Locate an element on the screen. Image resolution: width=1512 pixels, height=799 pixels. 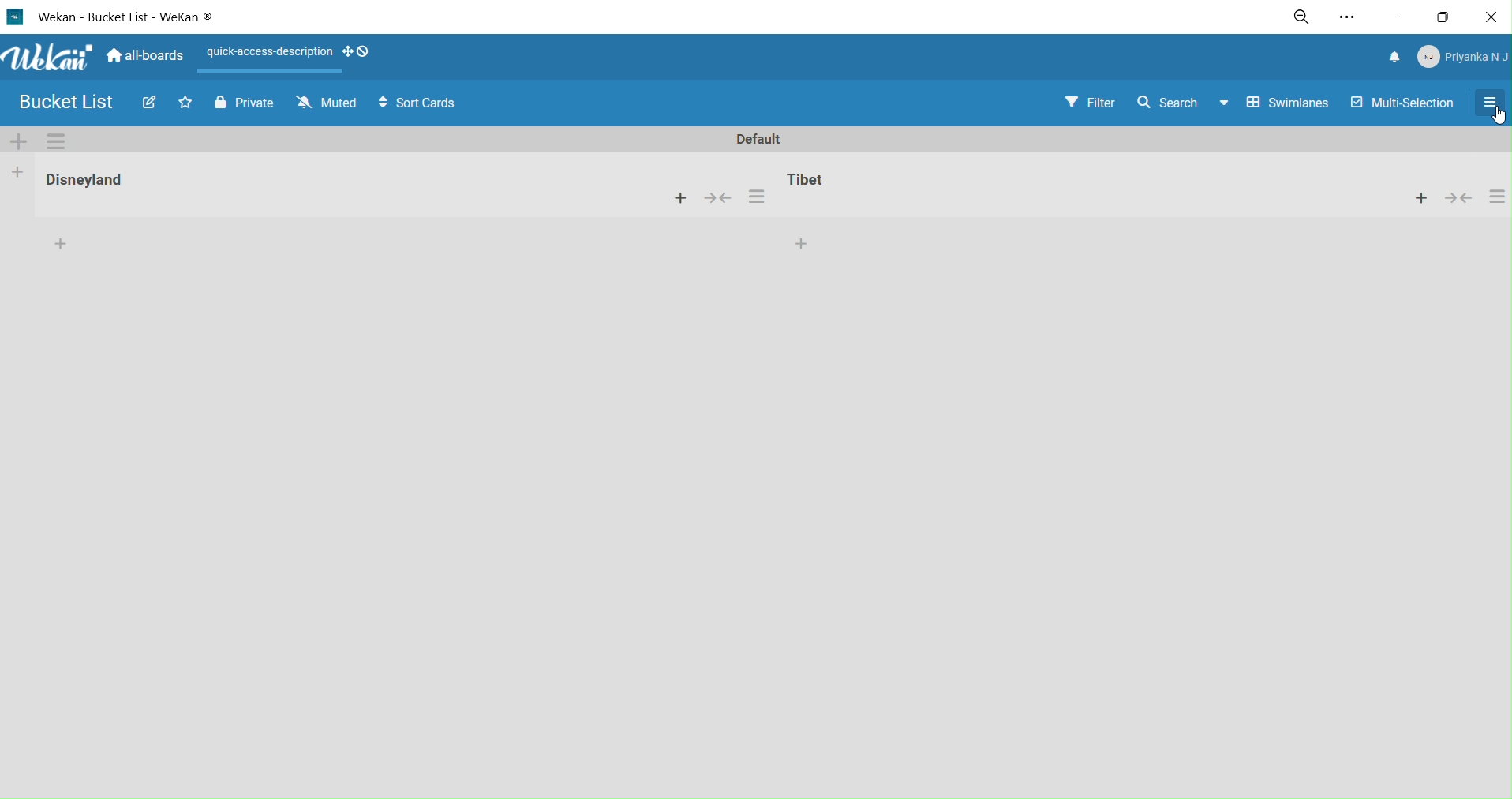
maximize is located at coordinates (1442, 17).